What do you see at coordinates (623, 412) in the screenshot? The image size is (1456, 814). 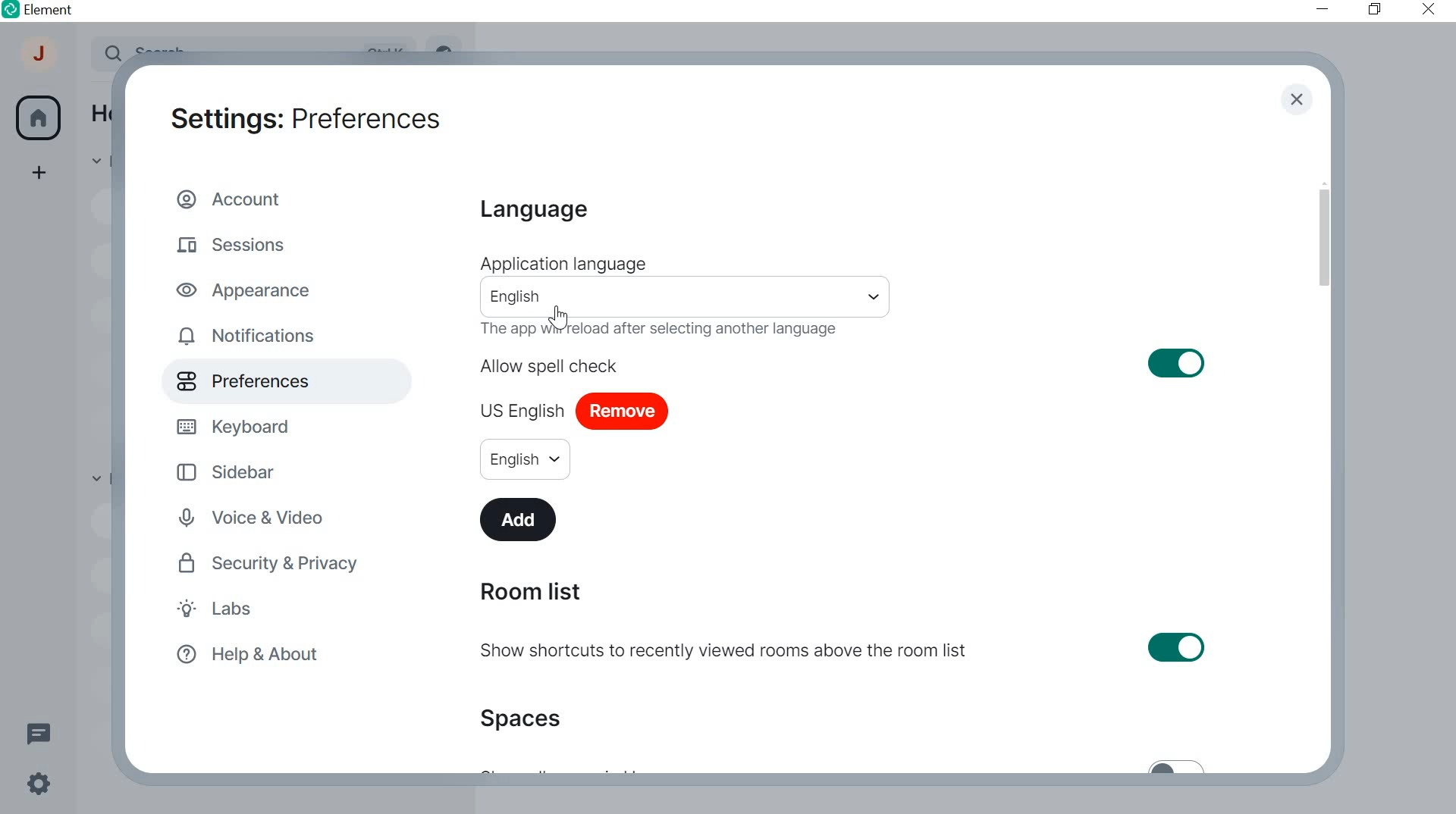 I see `Remove` at bounding box center [623, 412].